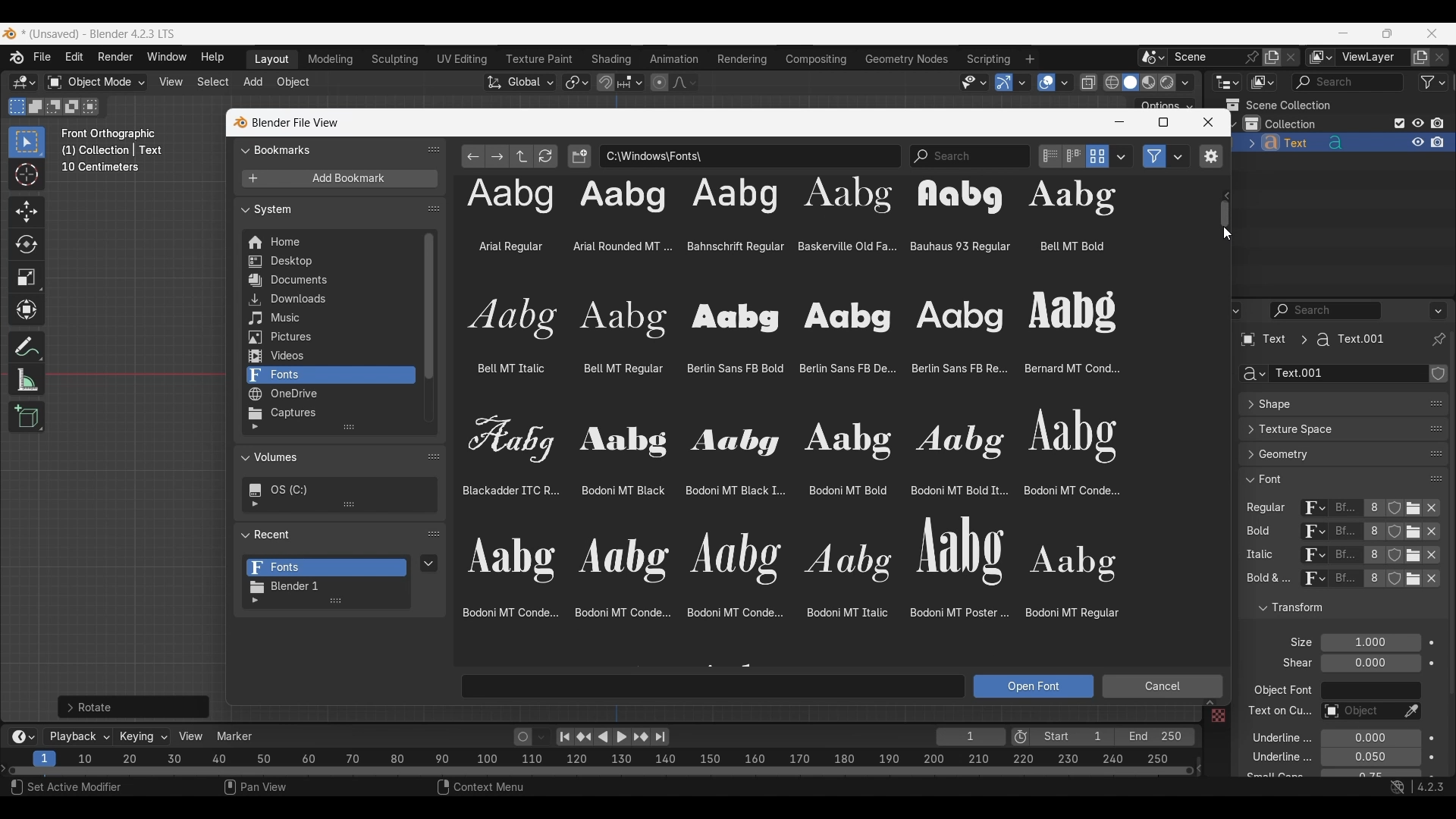 Image resolution: width=1456 pixels, height=819 pixels. Describe the element at coordinates (1272, 737) in the screenshot. I see `underline` at that location.